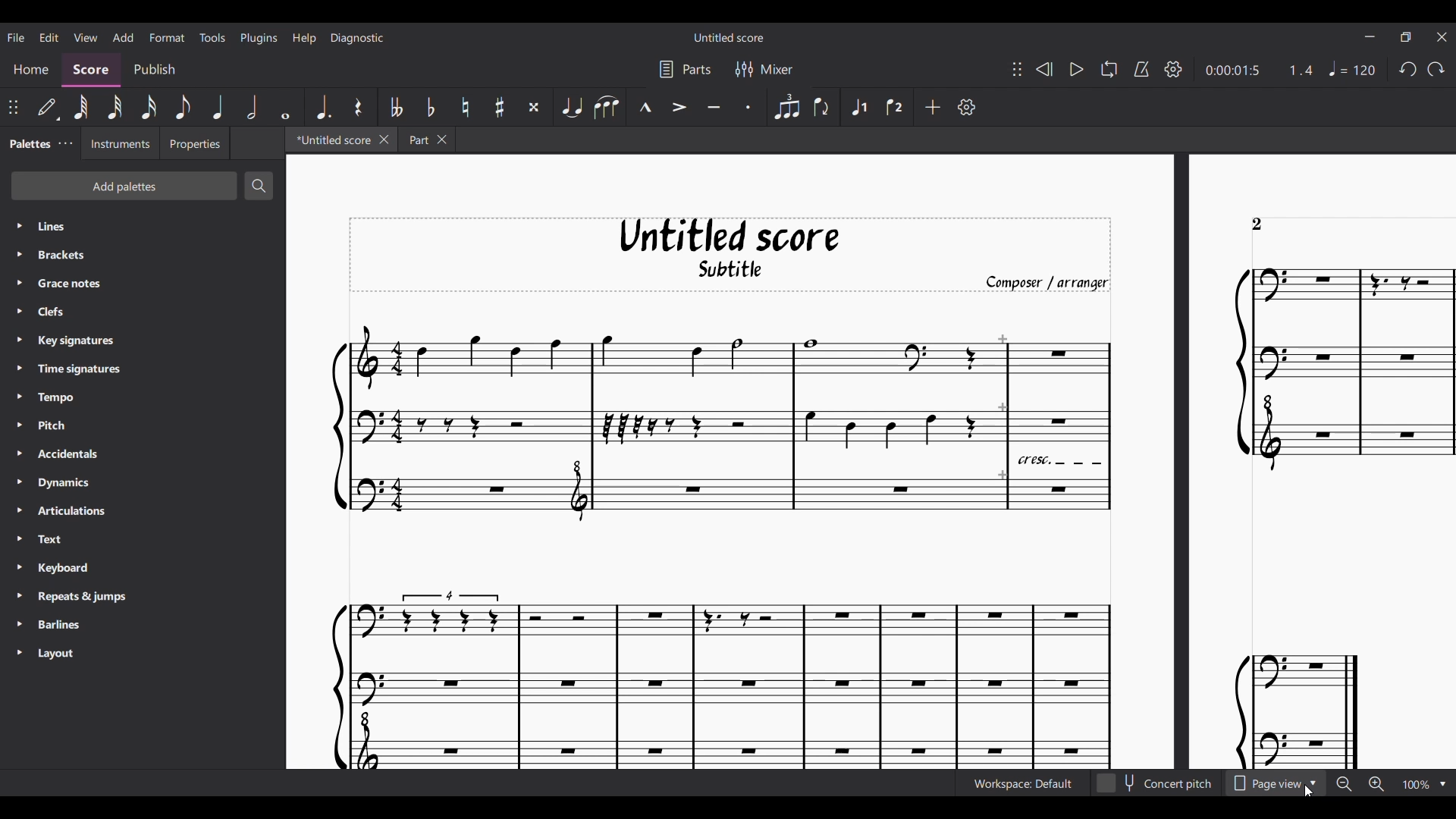 The image size is (1456, 819). Describe the element at coordinates (1044, 70) in the screenshot. I see `Rewind` at that location.